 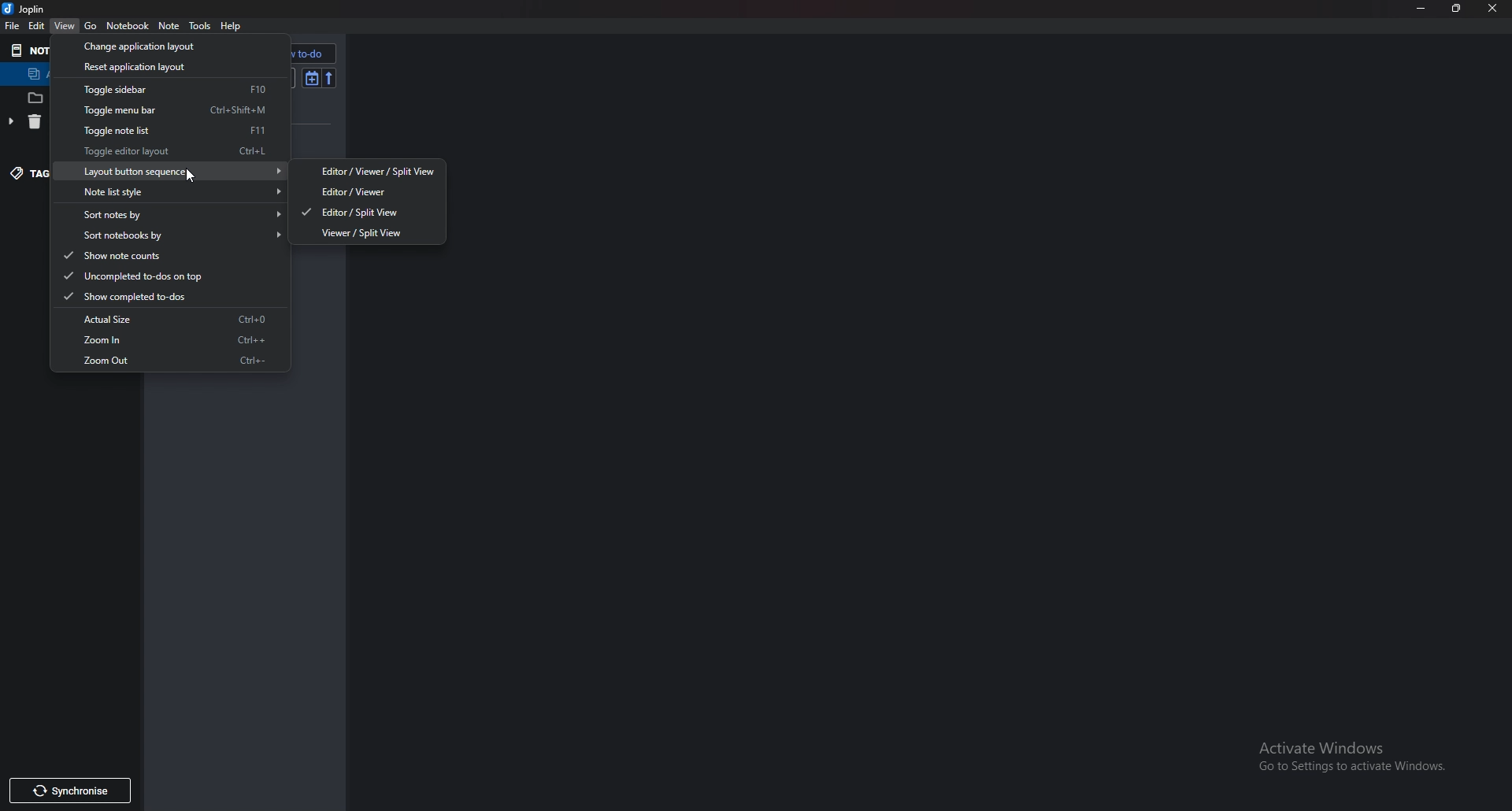 What do you see at coordinates (172, 213) in the screenshot?
I see `Sort notes by` at bounding box center [172, 213].